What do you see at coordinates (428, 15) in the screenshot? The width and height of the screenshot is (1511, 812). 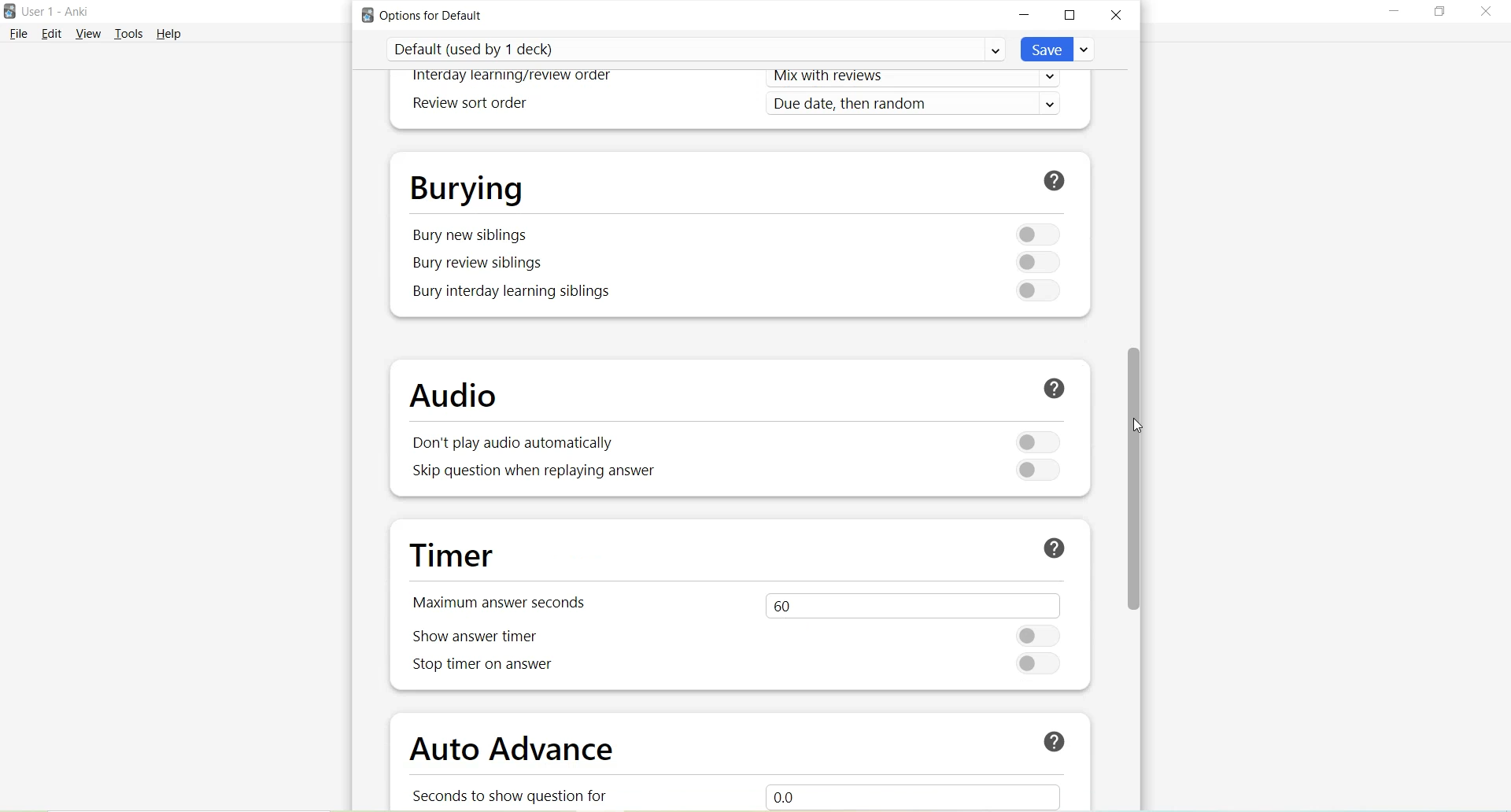 I see `Options for Default` at bounding box center [428, 15].